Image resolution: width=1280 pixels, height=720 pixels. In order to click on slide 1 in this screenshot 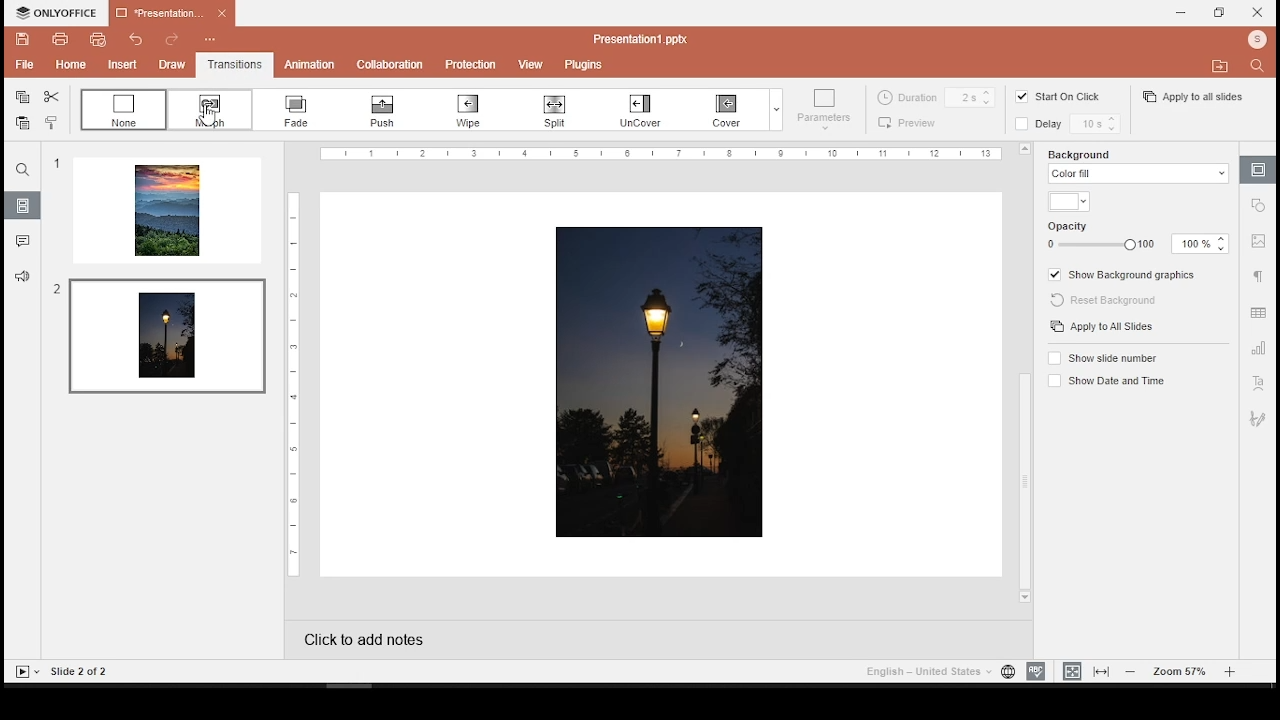, I will do `click(167, 211)`.